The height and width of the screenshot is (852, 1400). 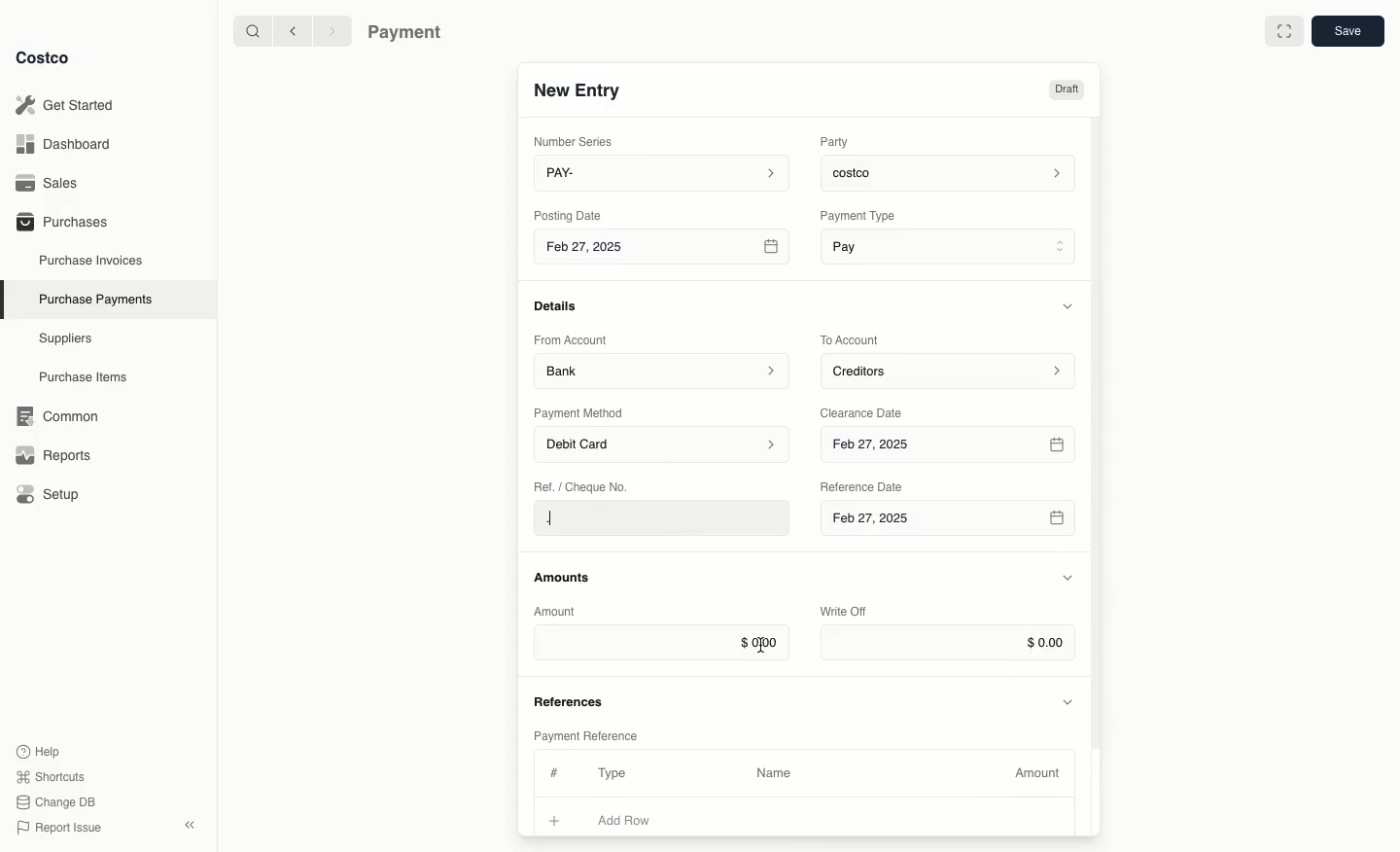 I want to click on Amount, so click(x=558, y=611).